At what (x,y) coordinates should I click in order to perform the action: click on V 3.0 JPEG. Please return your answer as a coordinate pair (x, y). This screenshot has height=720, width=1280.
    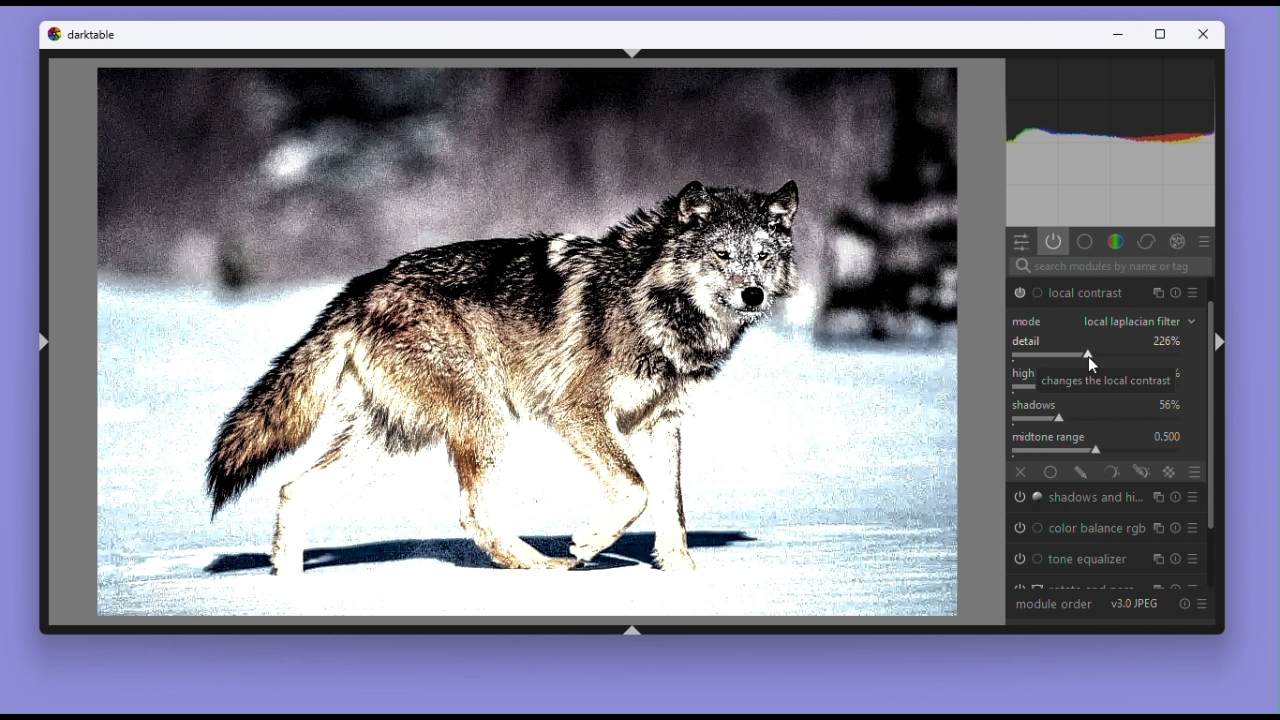
    Looking at the image, I should click on (1136, 604).